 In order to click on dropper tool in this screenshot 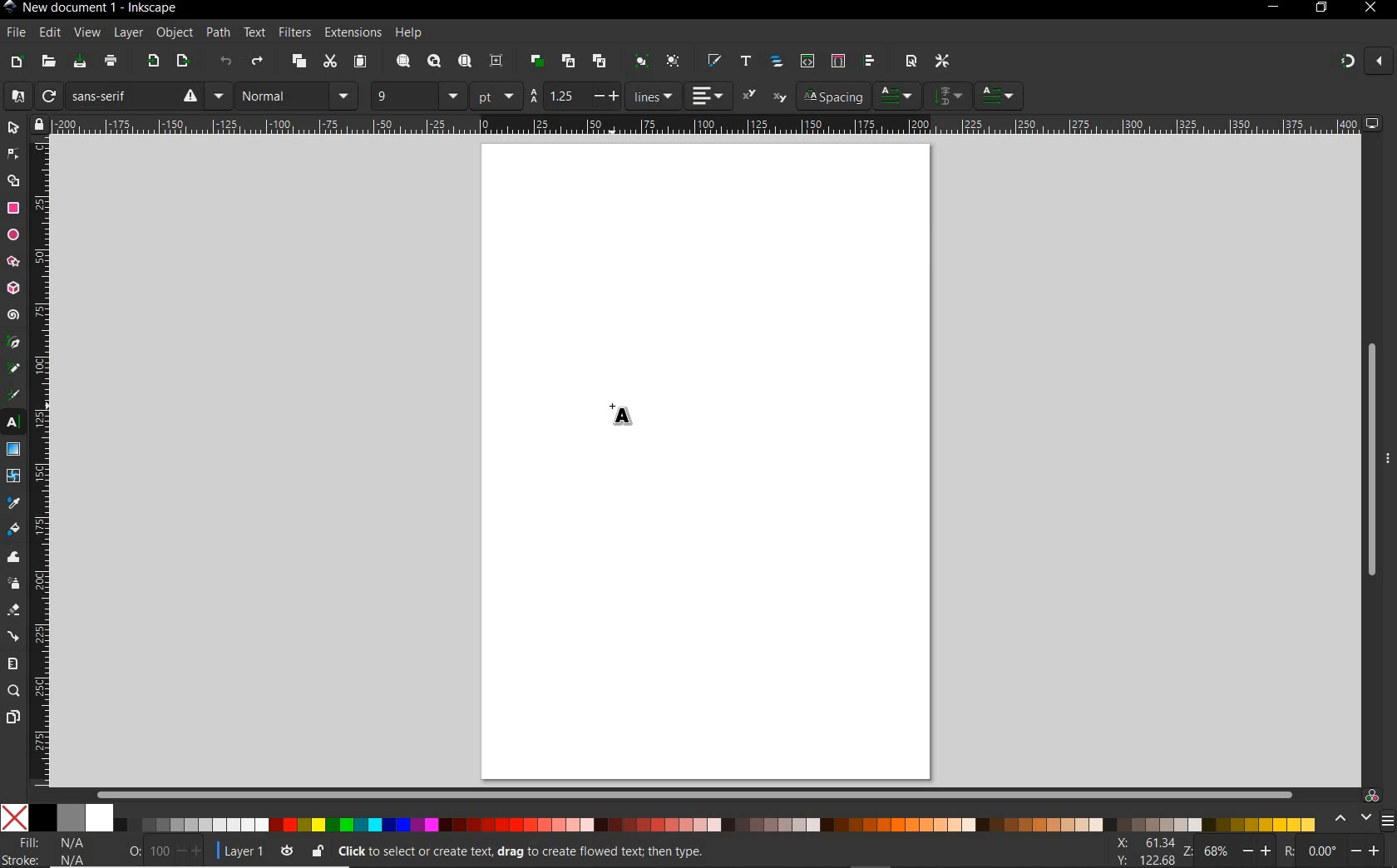, I will do `click(14, 504)`.